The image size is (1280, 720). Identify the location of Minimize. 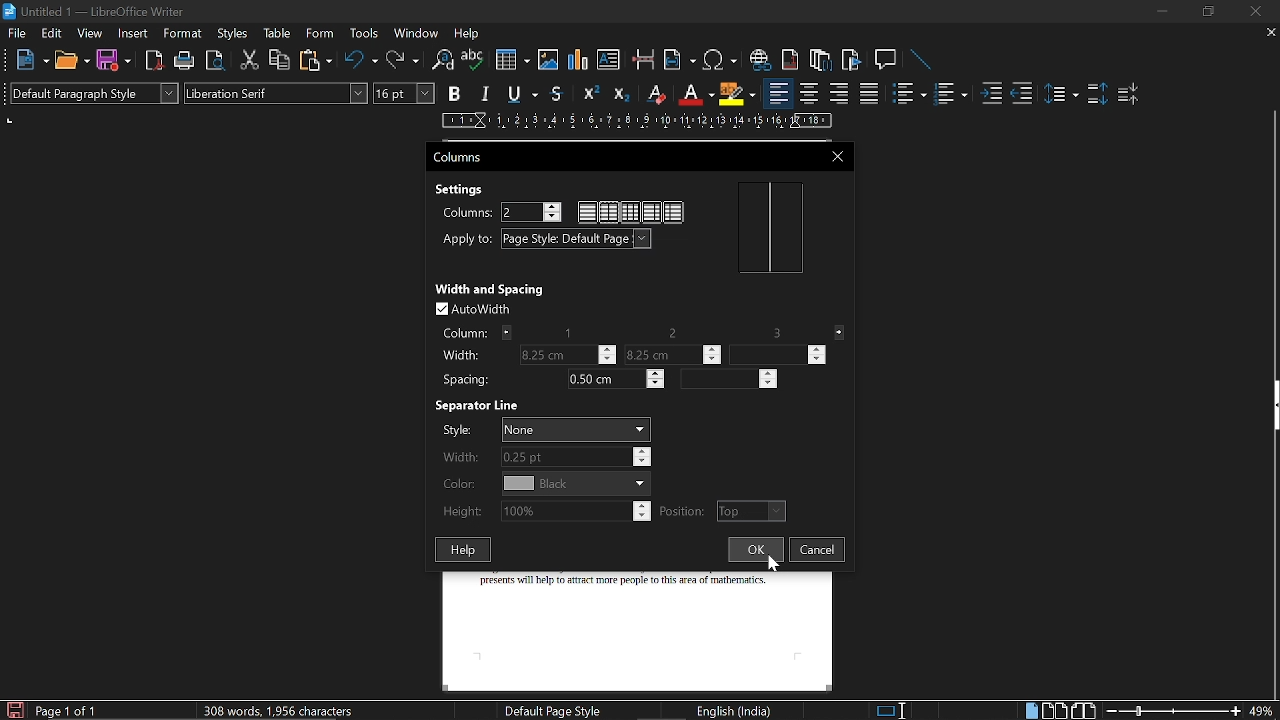
(1159, 11).